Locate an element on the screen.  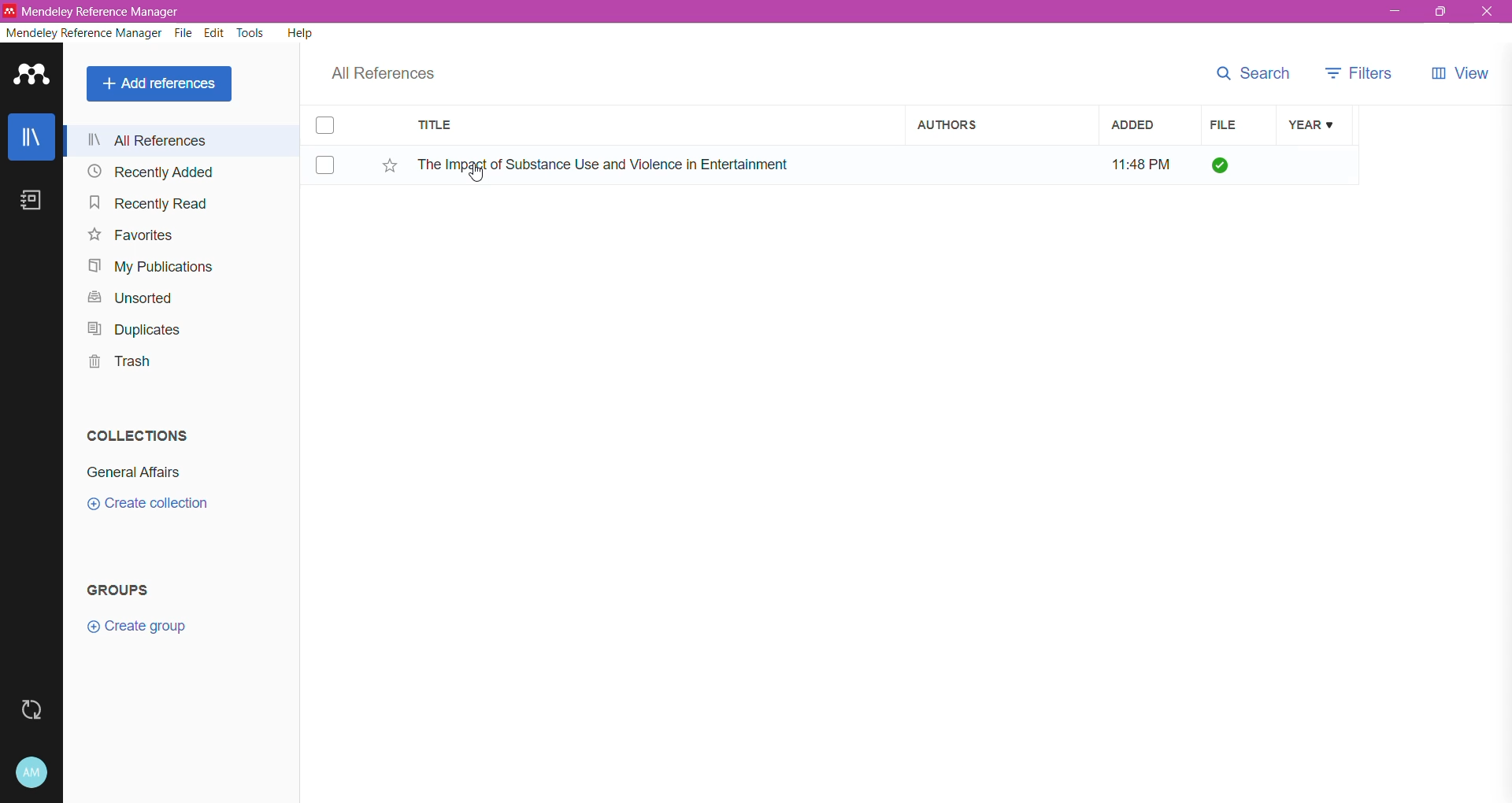
Tools is located at coordinates (254, 32).